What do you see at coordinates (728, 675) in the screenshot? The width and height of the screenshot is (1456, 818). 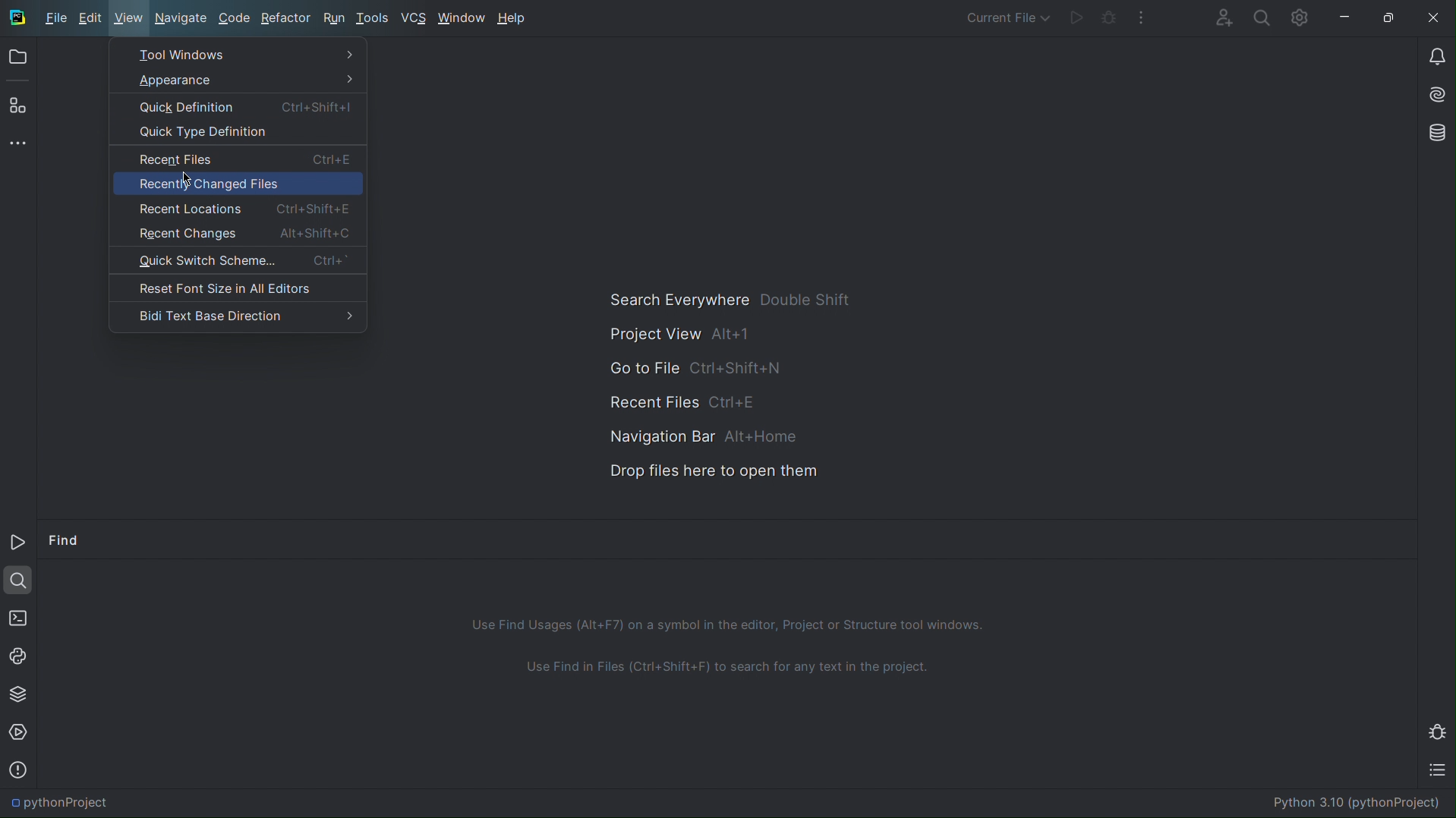 I see `Find Terminal` at bounding box center [728, 675].